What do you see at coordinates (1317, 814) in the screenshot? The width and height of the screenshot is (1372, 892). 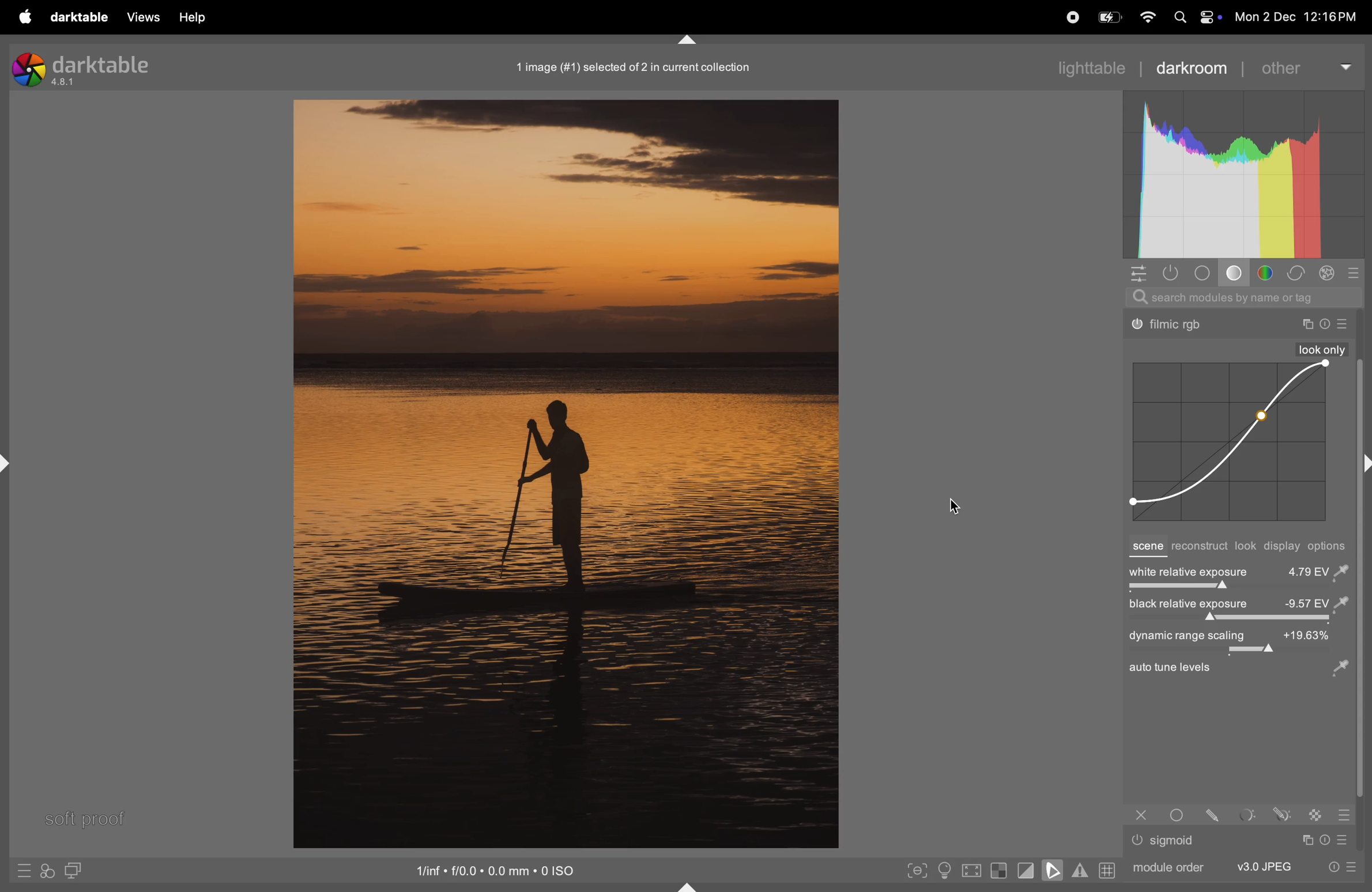 I see `` at bounding box center [1317, 814].